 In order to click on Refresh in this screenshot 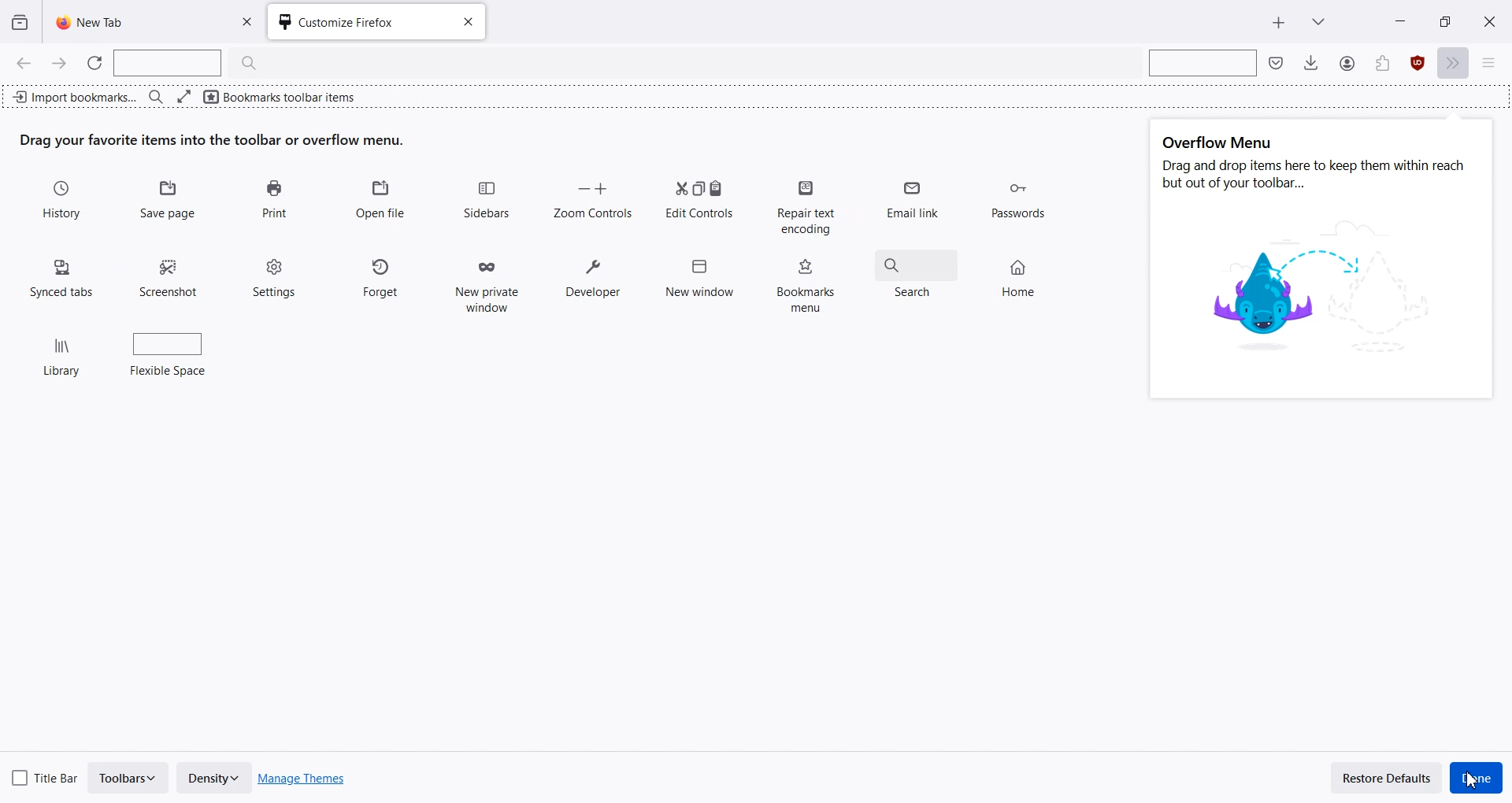, I will do `click(95, 63)`.